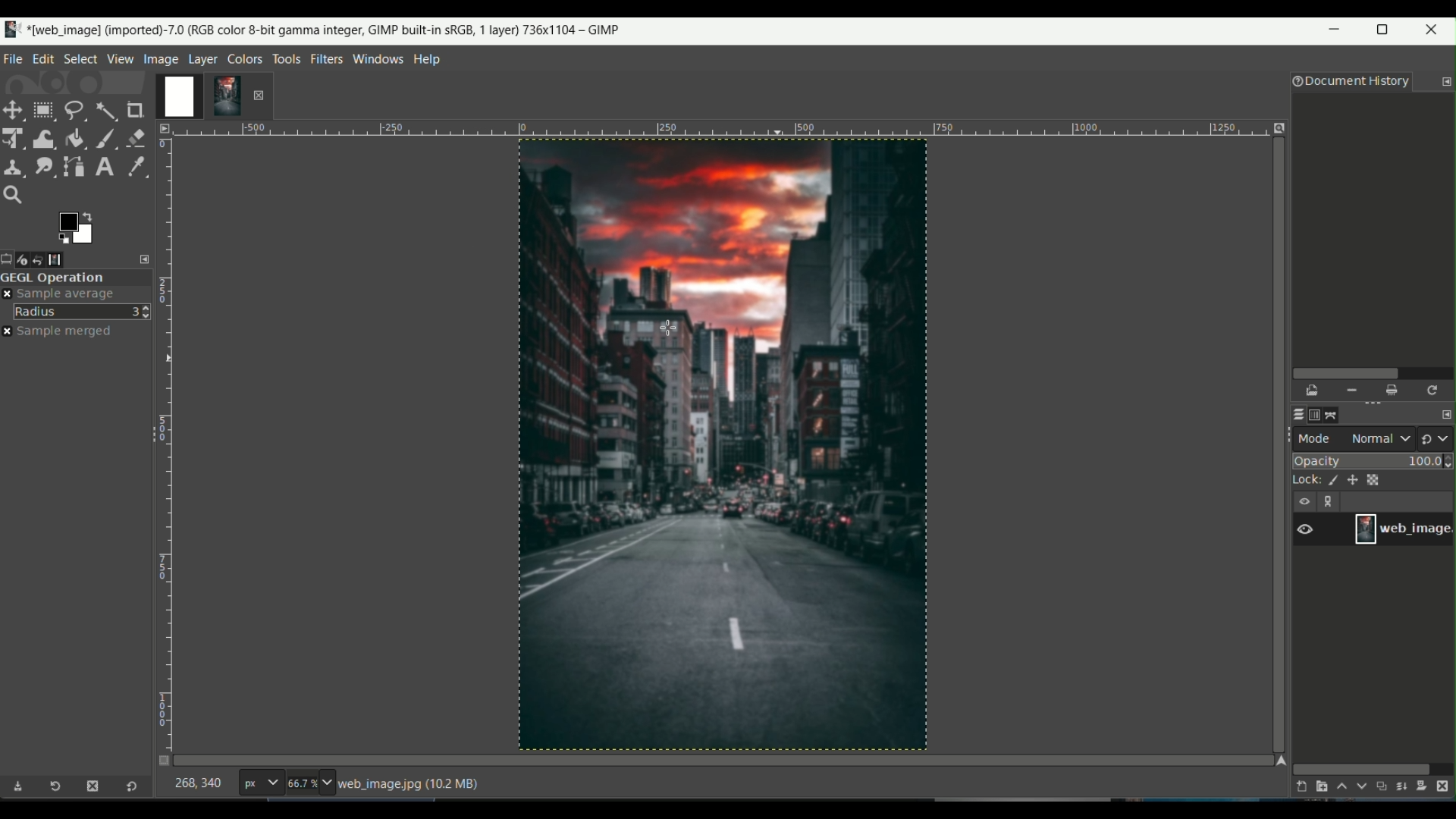  Describe the element at coordinates (1351, 391) in the screenshot. I see `remove the selected entry` at that location.